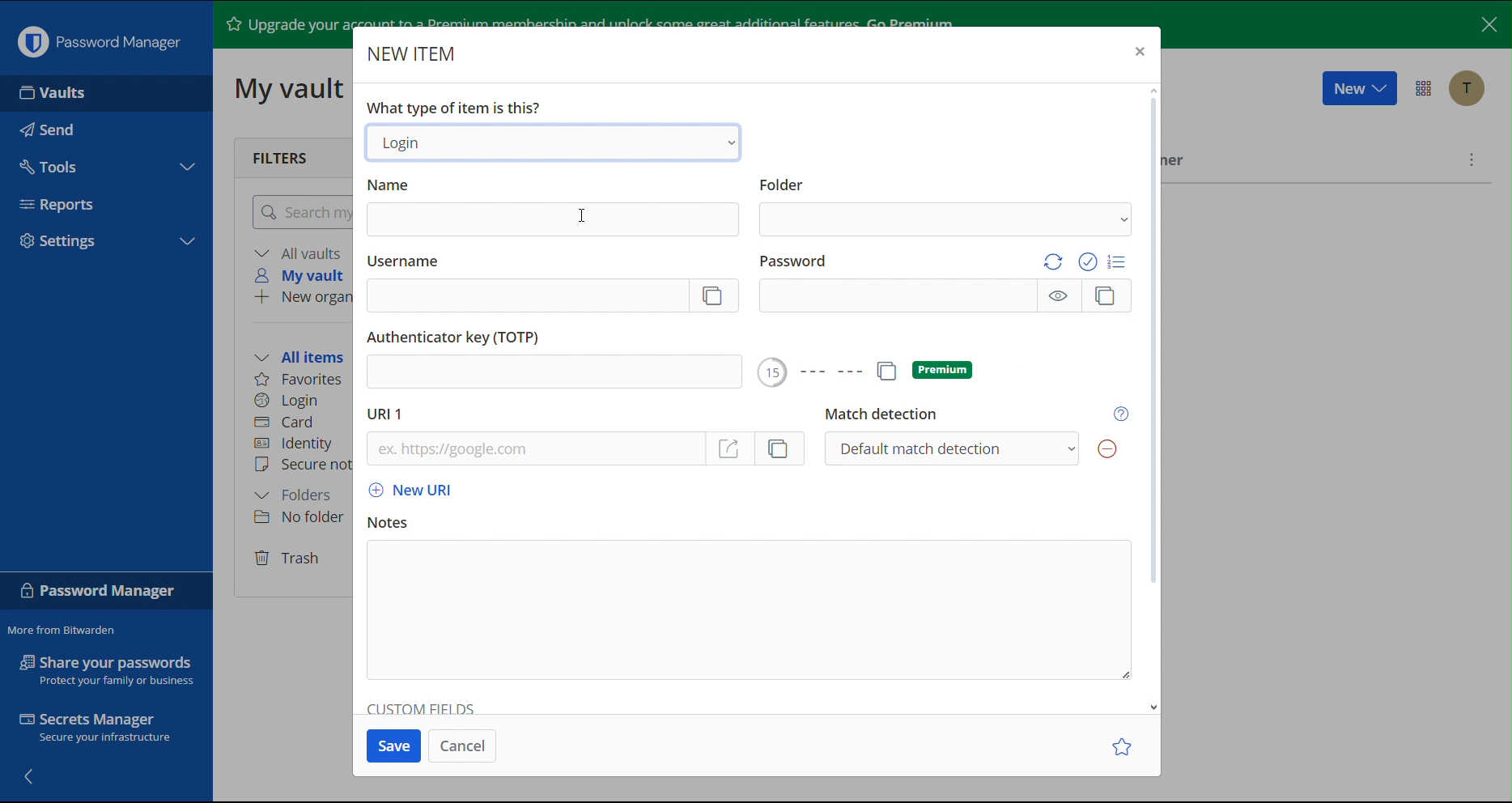 Image resolution: width=1512 pixels, height=803 pixels. What do you see at coordinates (284, 156) in the screenshot?
I see `Filters` at bounding box center [284, 156].